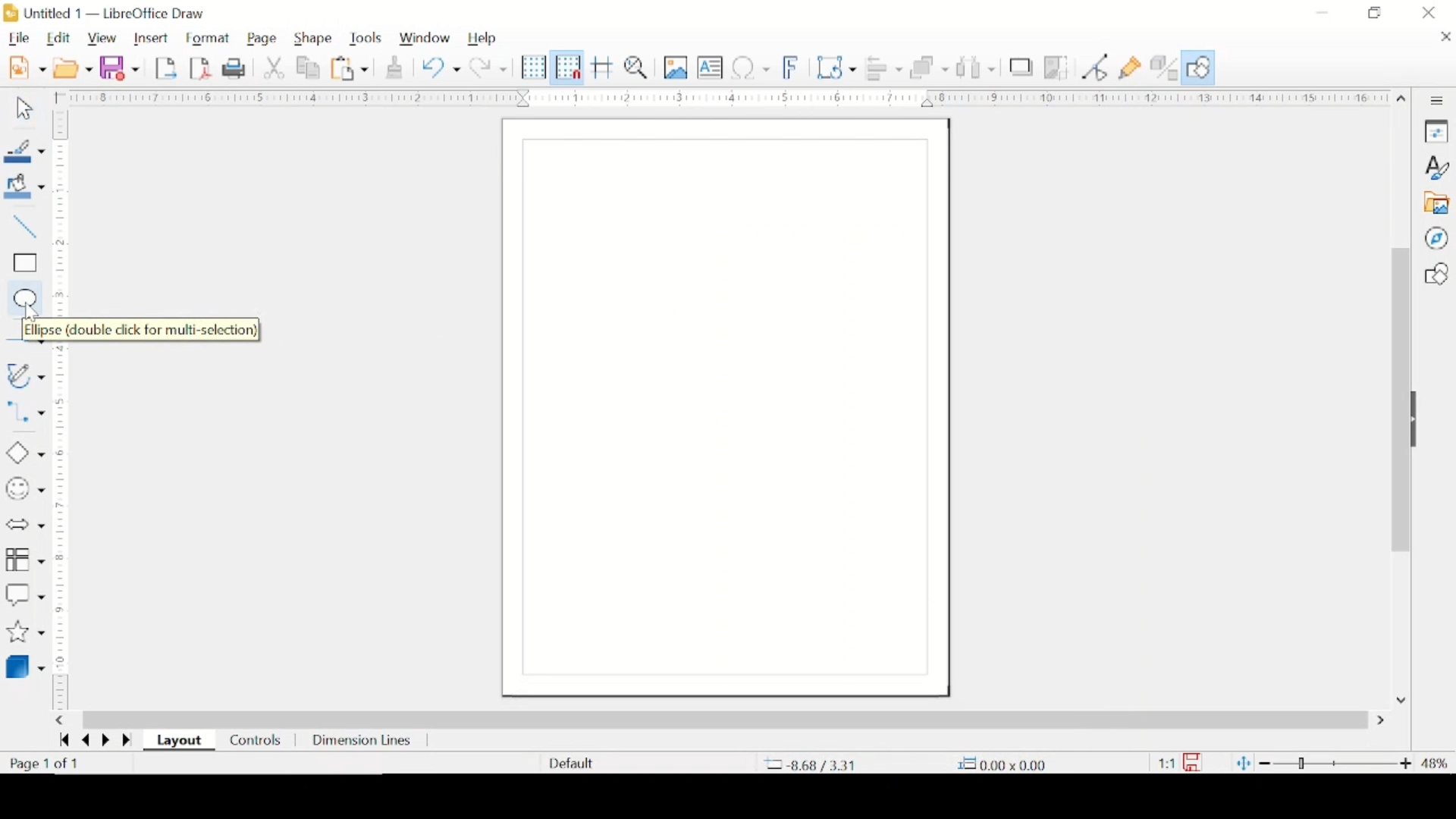  What do you see at coordinates (1402, 96) in the screenshot?
I see `scroll up arrow` at bounding box center [1402, 96].